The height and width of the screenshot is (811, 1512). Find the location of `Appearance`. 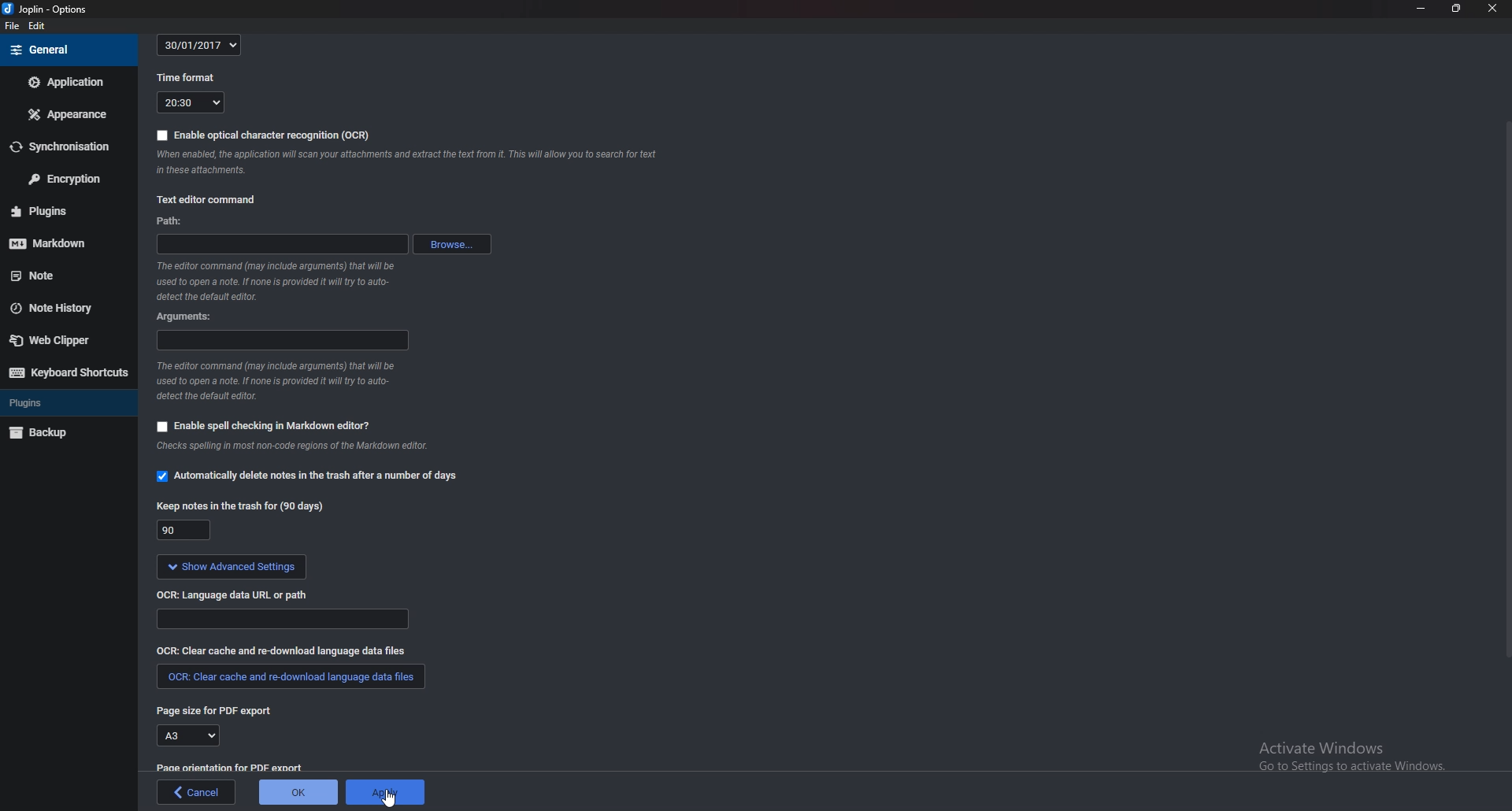

Appearance is located at coordinates (66, 113).